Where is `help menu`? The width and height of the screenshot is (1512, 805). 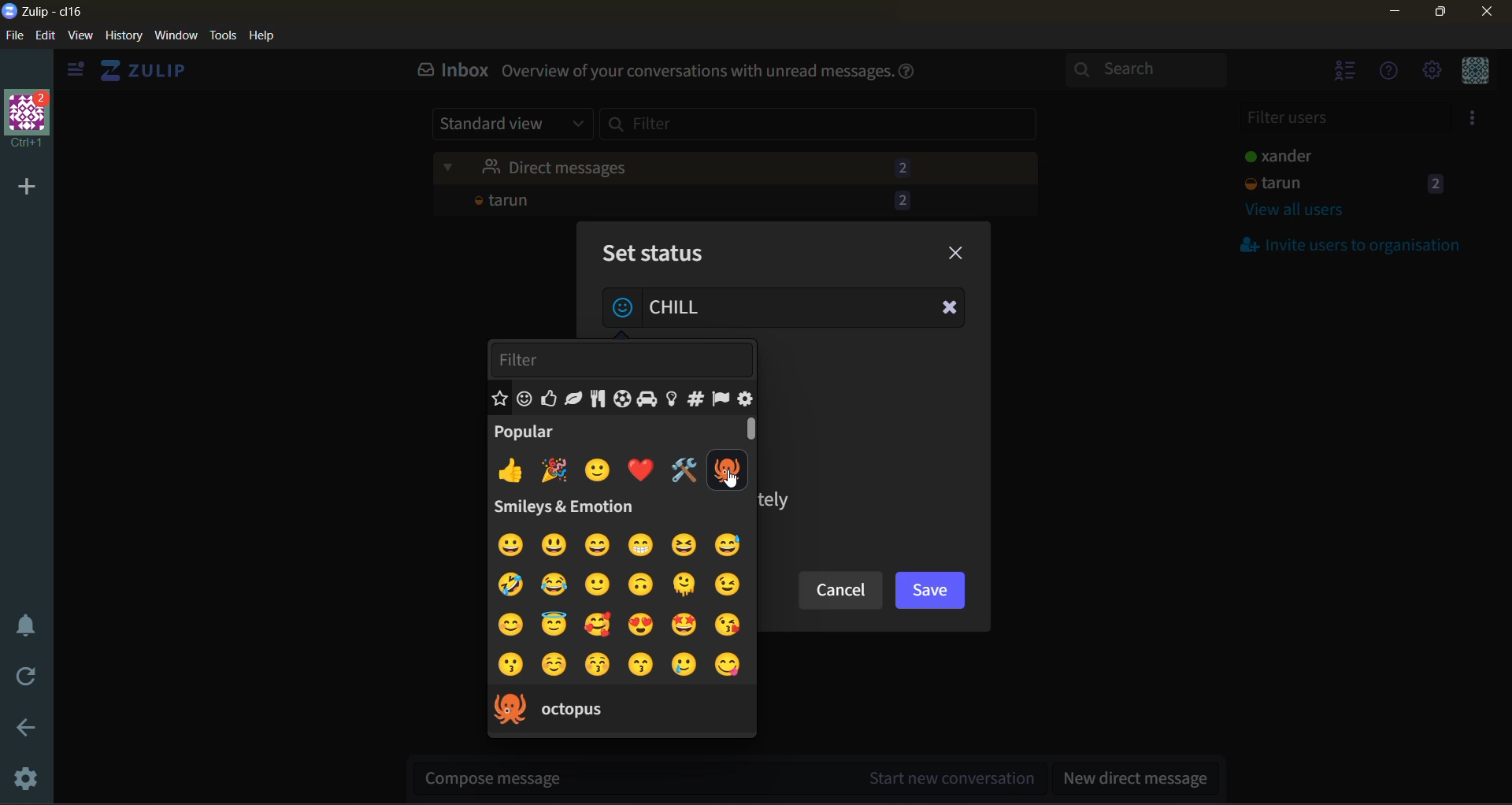
help menu is located at coordinates (1392, 75).